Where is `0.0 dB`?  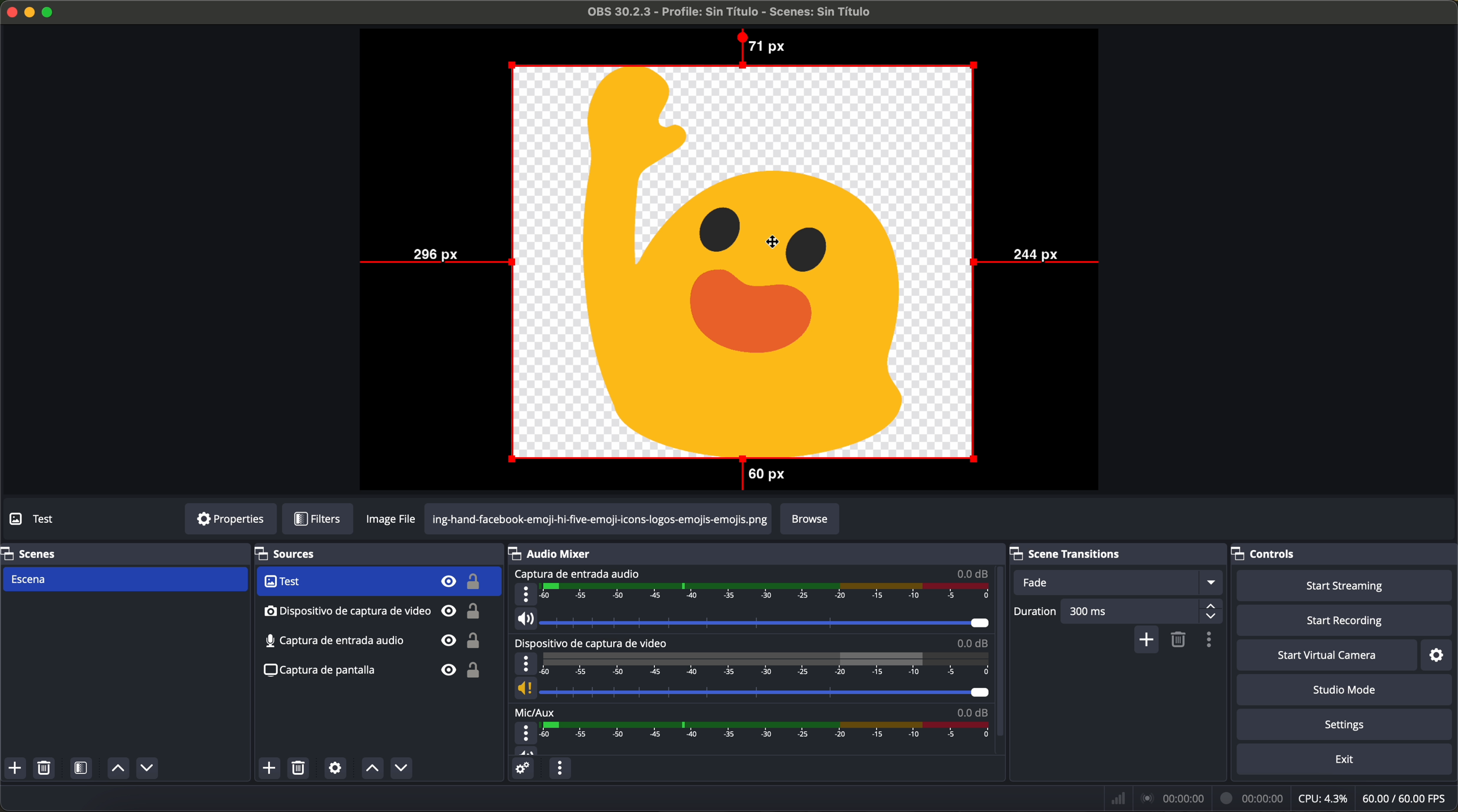
0.0 dB is located at coordinates (972, 710).